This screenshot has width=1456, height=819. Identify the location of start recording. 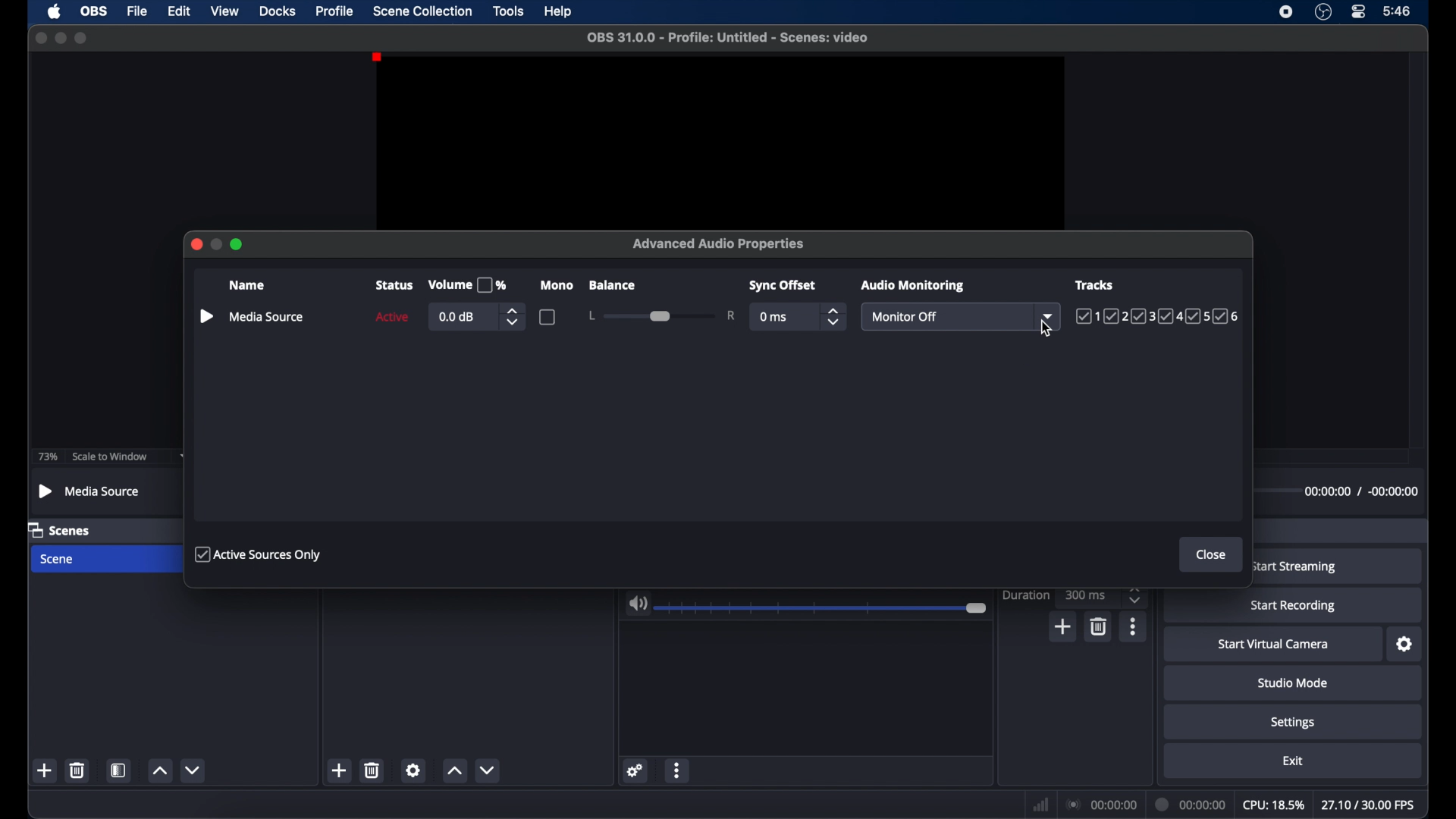
(1295, 606).